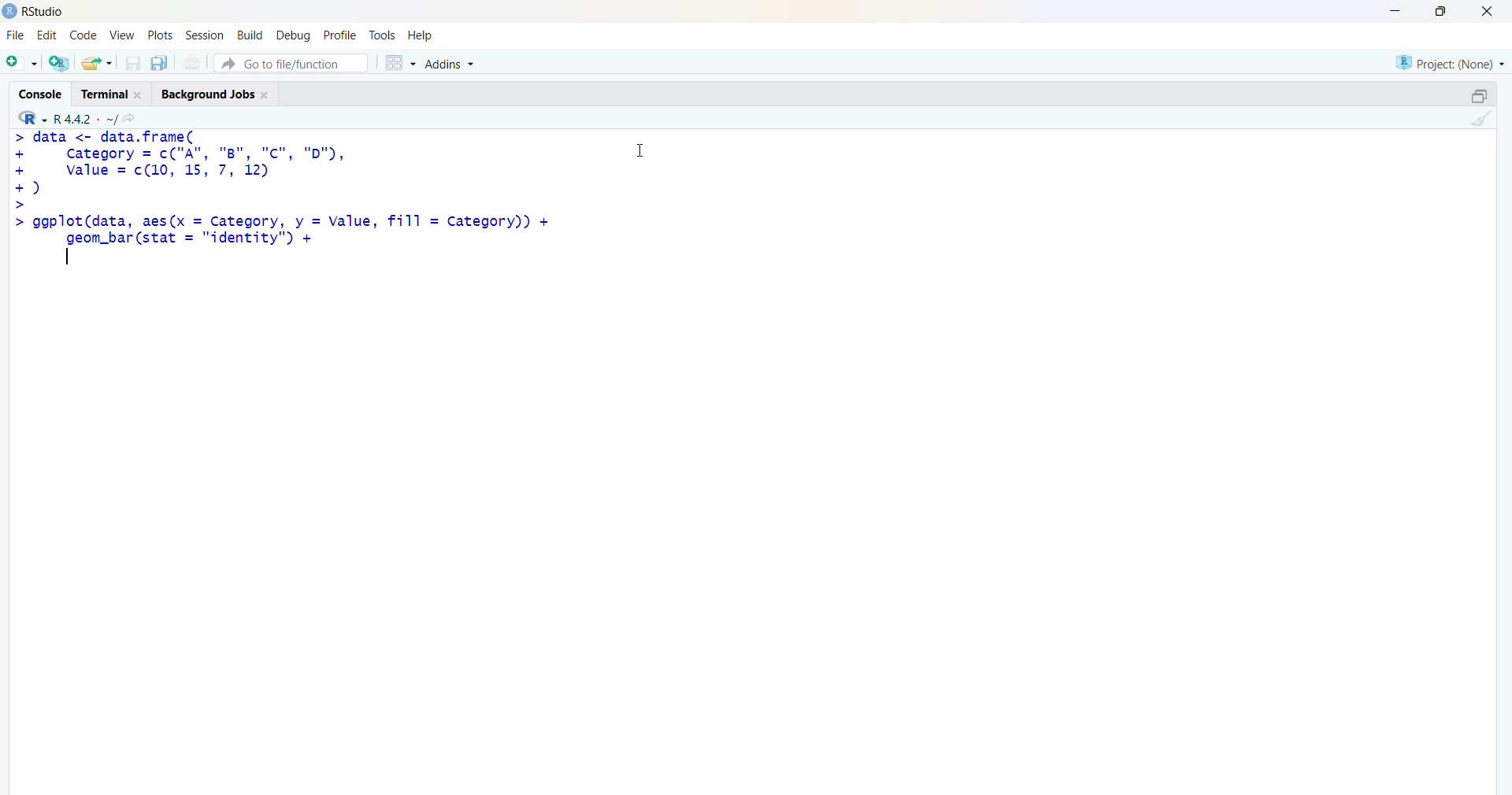 The height and width of the screenshot is (795, 1512). Describe the element at coordinates (339, 36) in the screenshot. I see `profile` at that location.